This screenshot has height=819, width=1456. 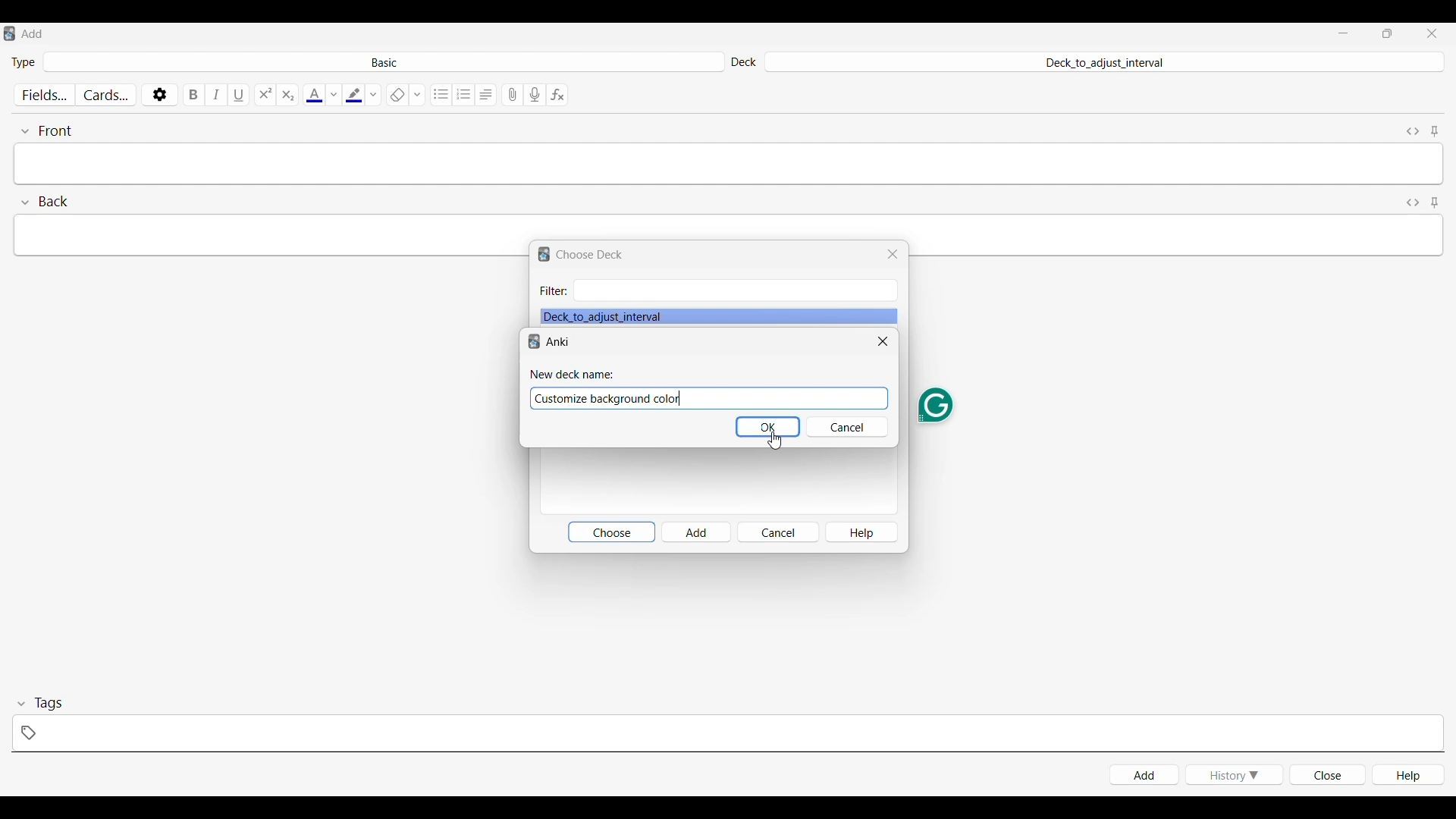 I want to click on Indicates Filter input, so click(x=554, y=291).